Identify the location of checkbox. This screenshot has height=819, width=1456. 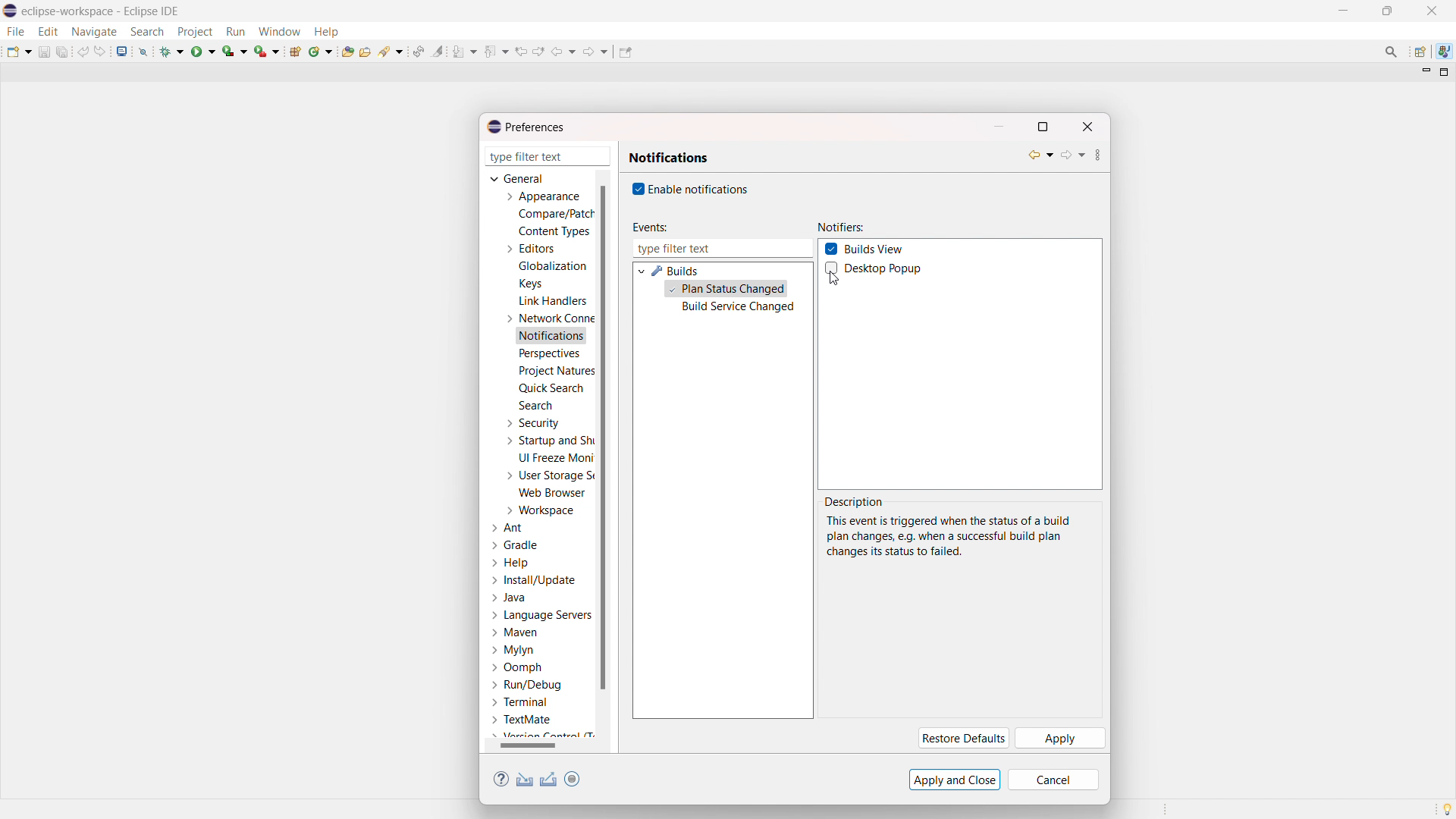
(636, 189).